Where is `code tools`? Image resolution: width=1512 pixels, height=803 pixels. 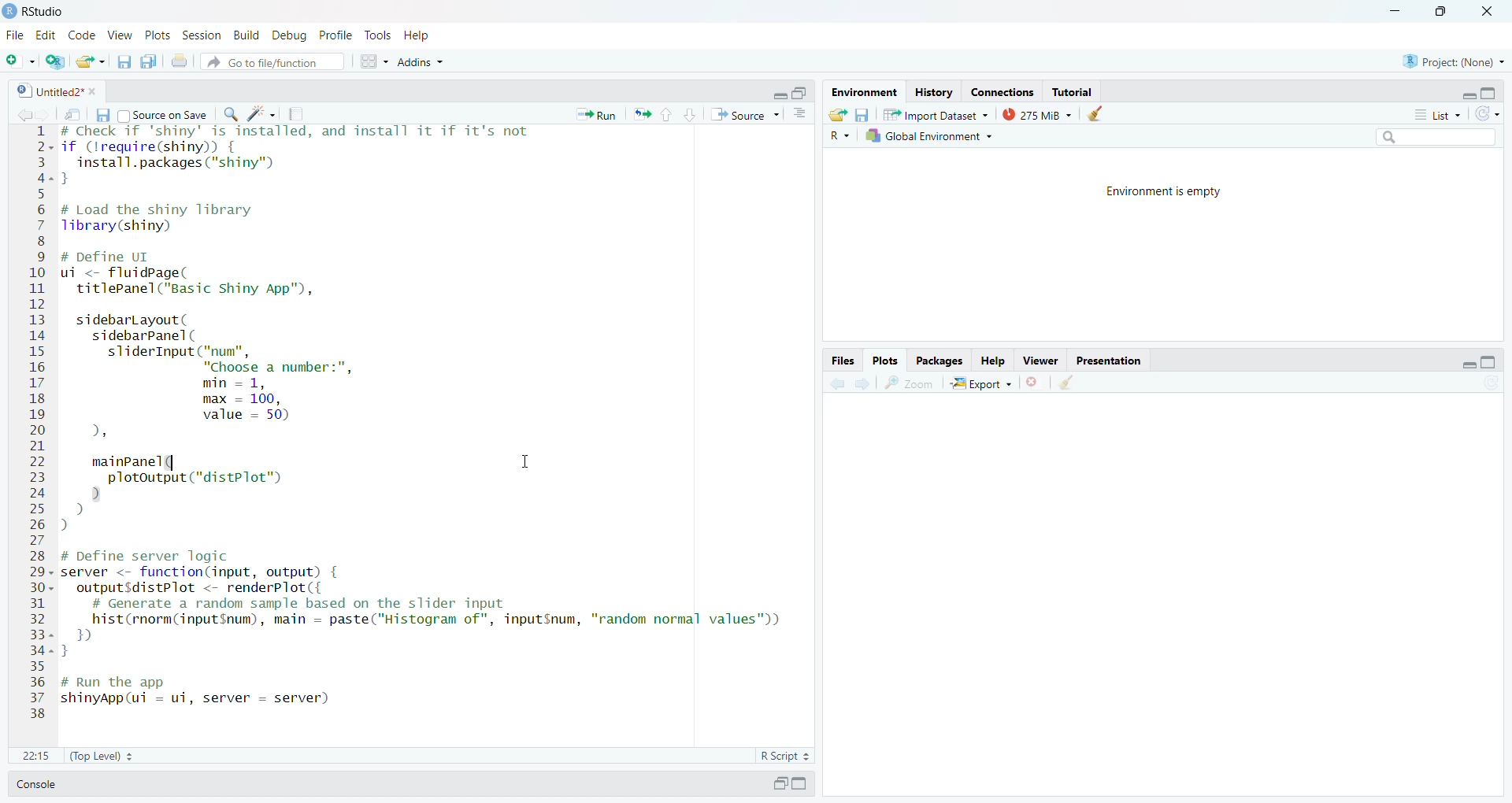 code tools is located at coordinates (262, 113).